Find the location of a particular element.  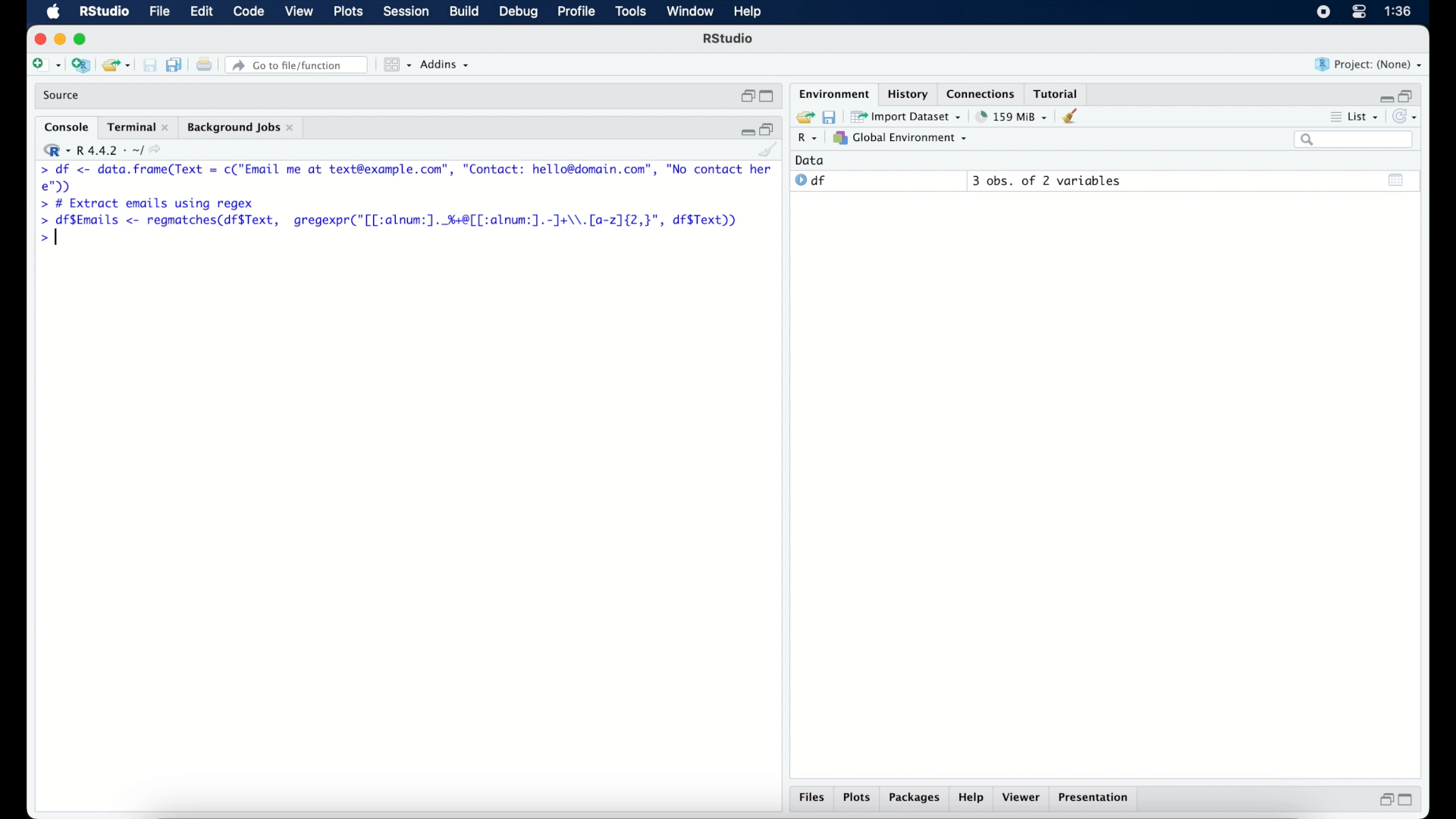

tools is located at coordinates (629, 12).